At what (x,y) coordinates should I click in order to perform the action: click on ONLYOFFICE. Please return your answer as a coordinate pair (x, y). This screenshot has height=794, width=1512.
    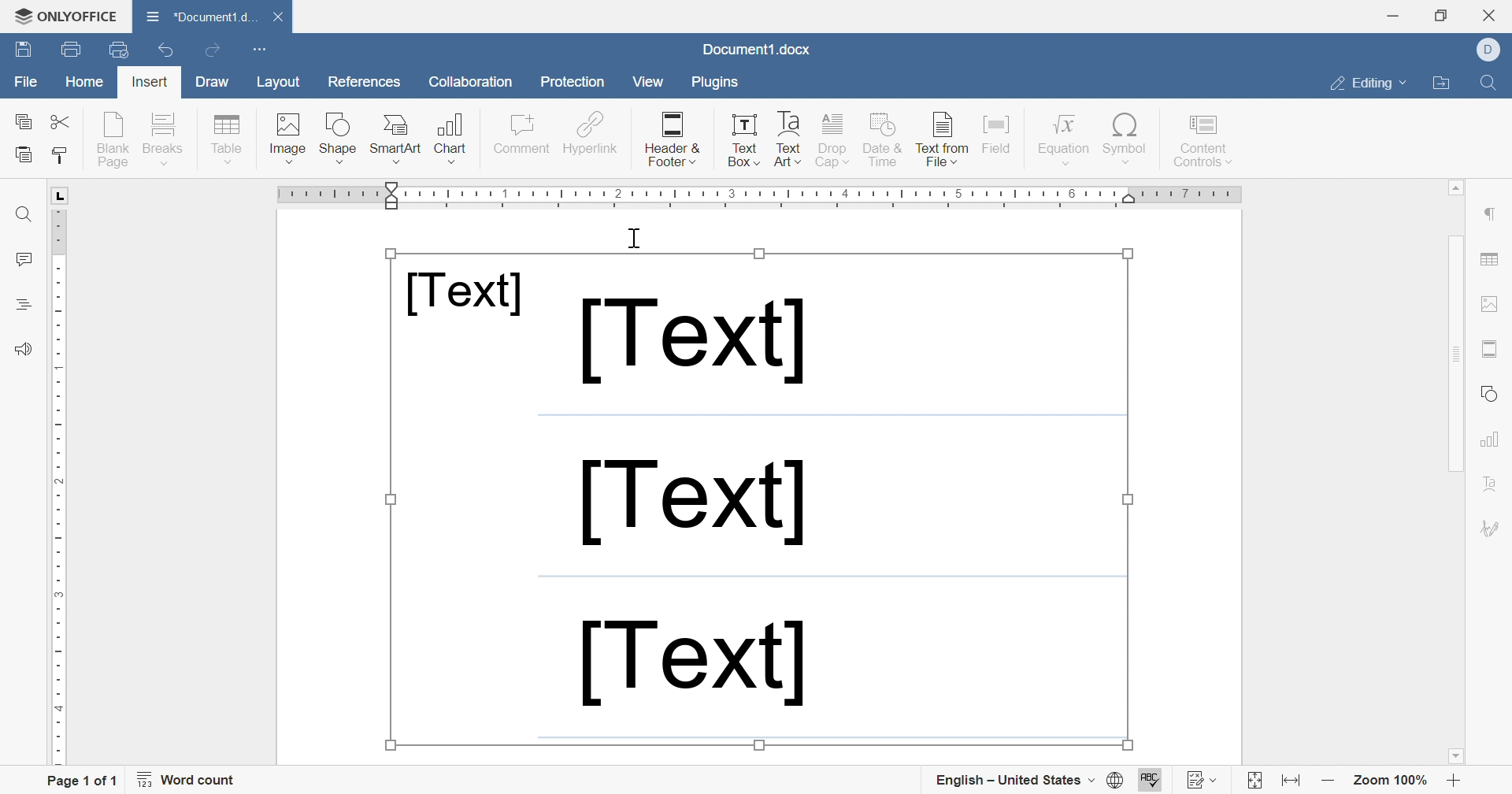
    Looking at the image, I should click on (67, 16).